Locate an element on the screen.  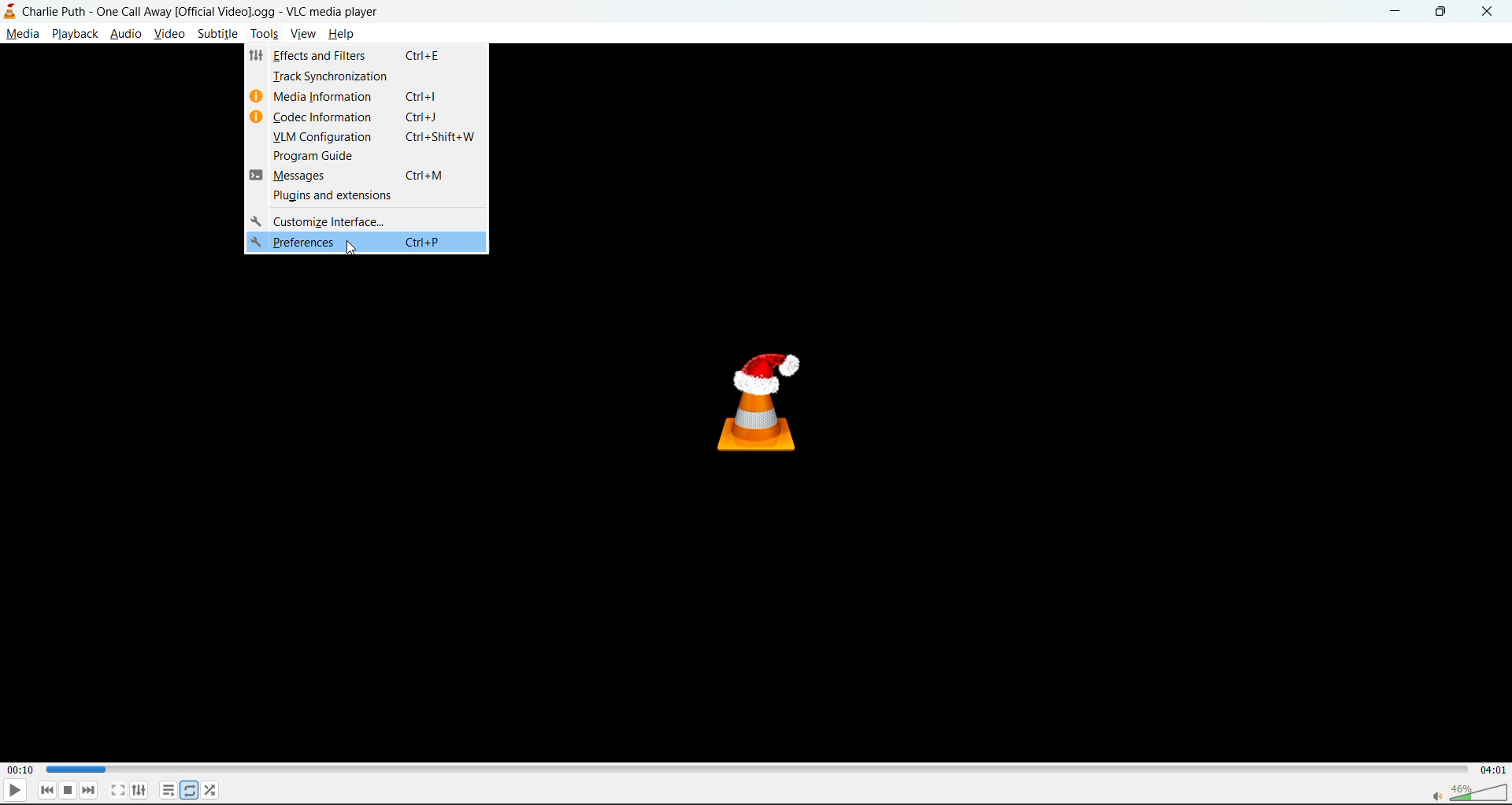
media information is located at coordinates (375, 96).